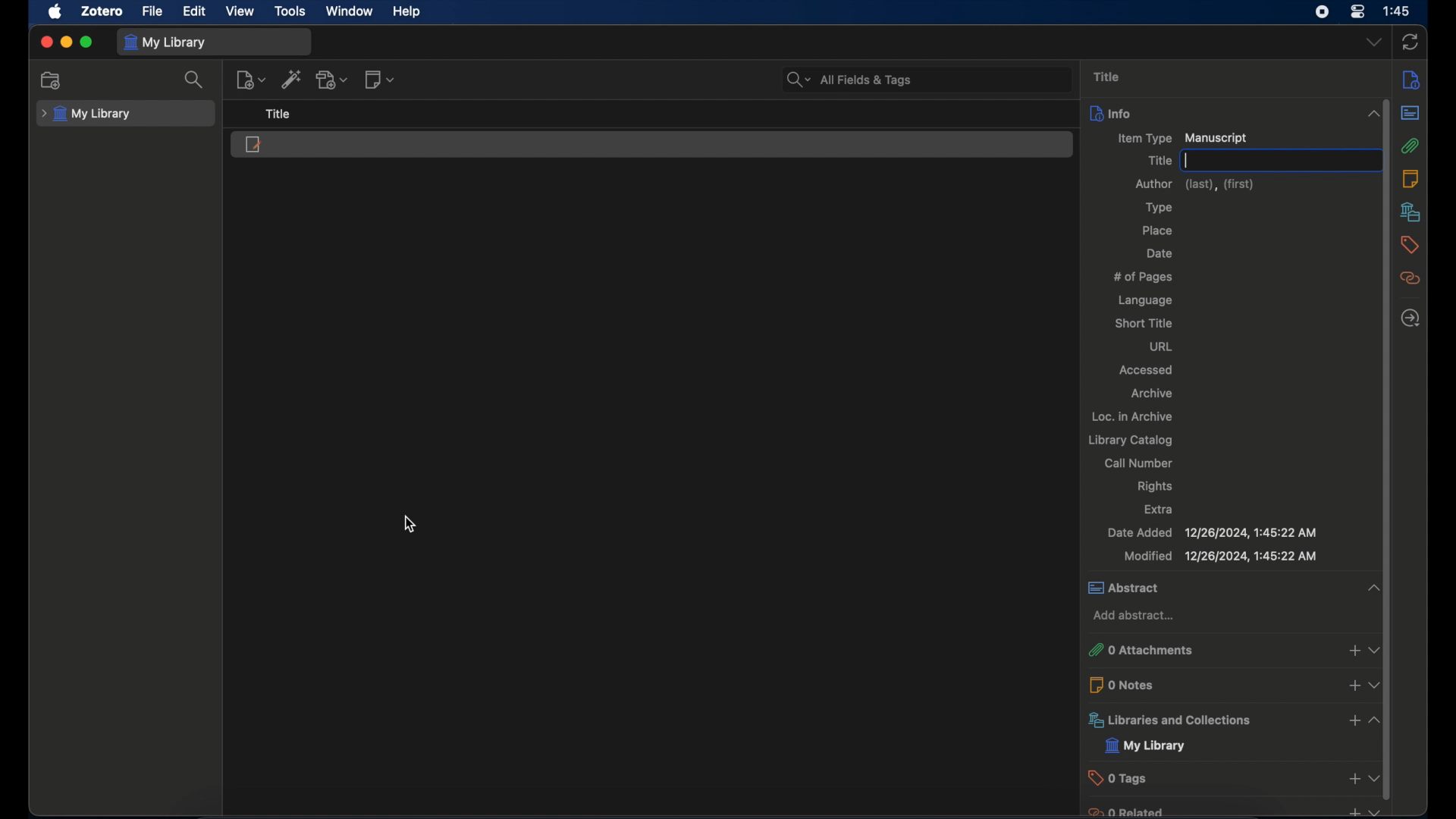  I want to click on libraries, so click(1410, 212).